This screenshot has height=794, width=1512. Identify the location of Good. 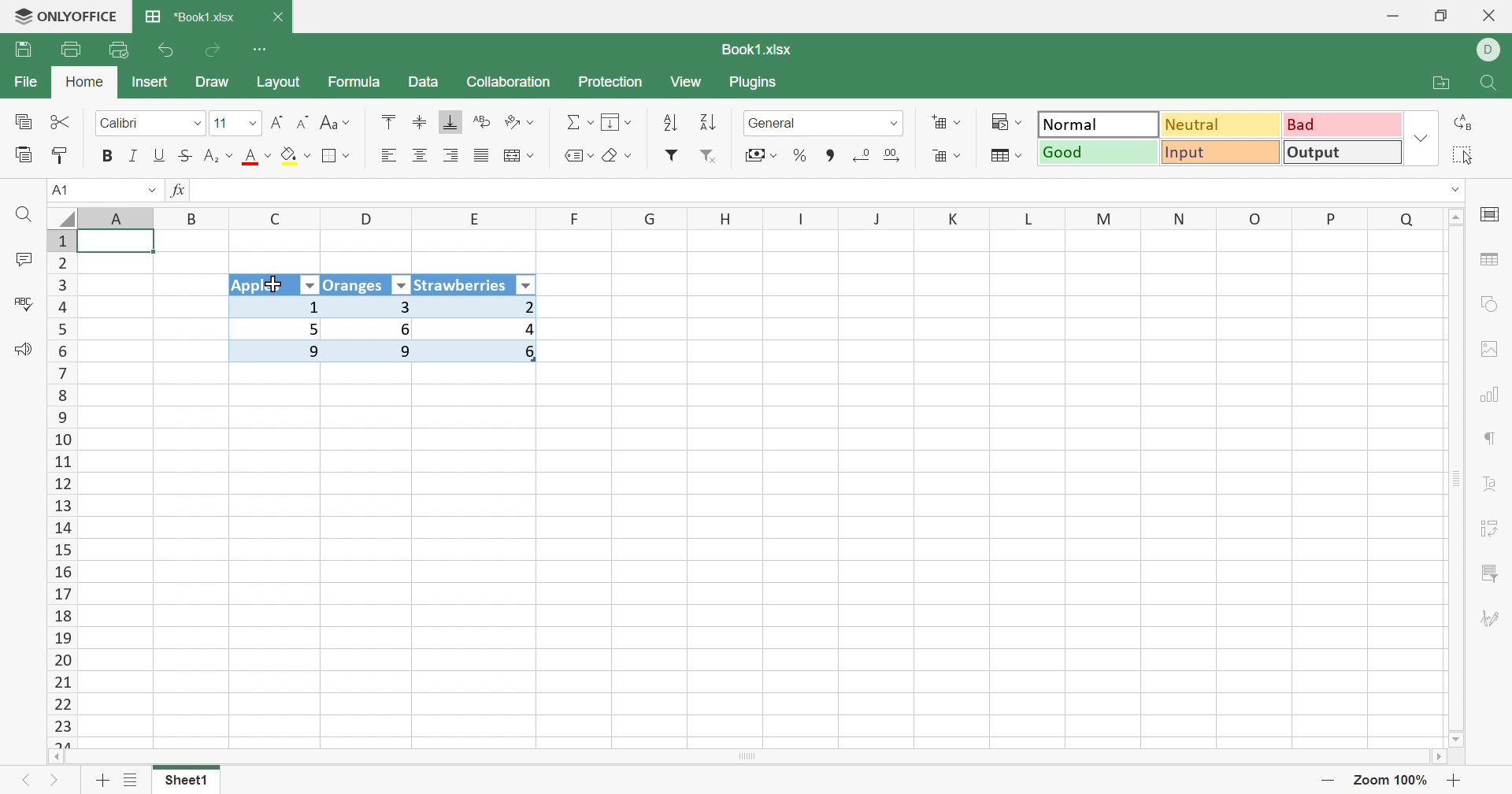
(1099, 153).